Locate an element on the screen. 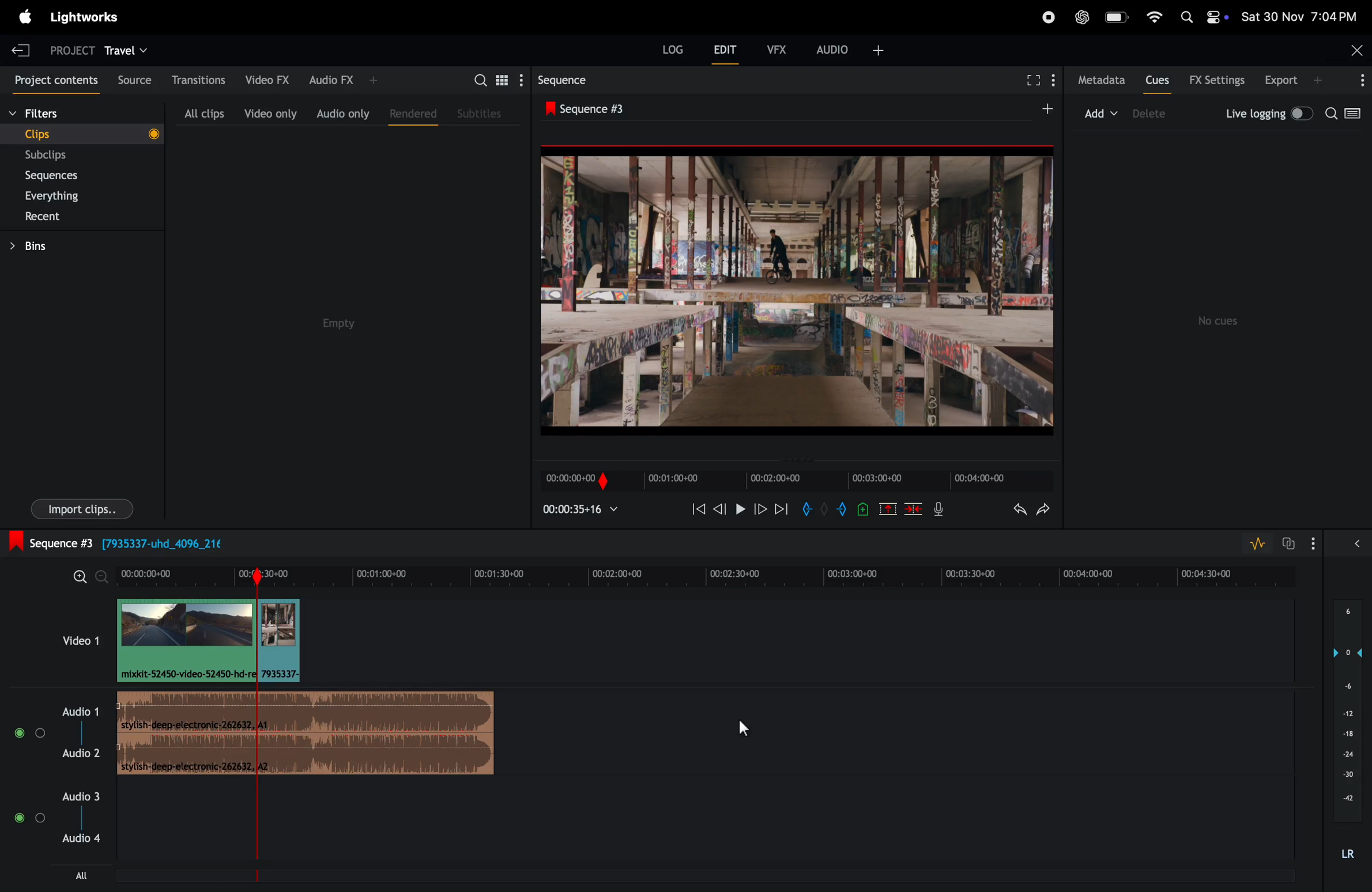 The image size is (1372, 892). light works is located at coordinates (85, 20).